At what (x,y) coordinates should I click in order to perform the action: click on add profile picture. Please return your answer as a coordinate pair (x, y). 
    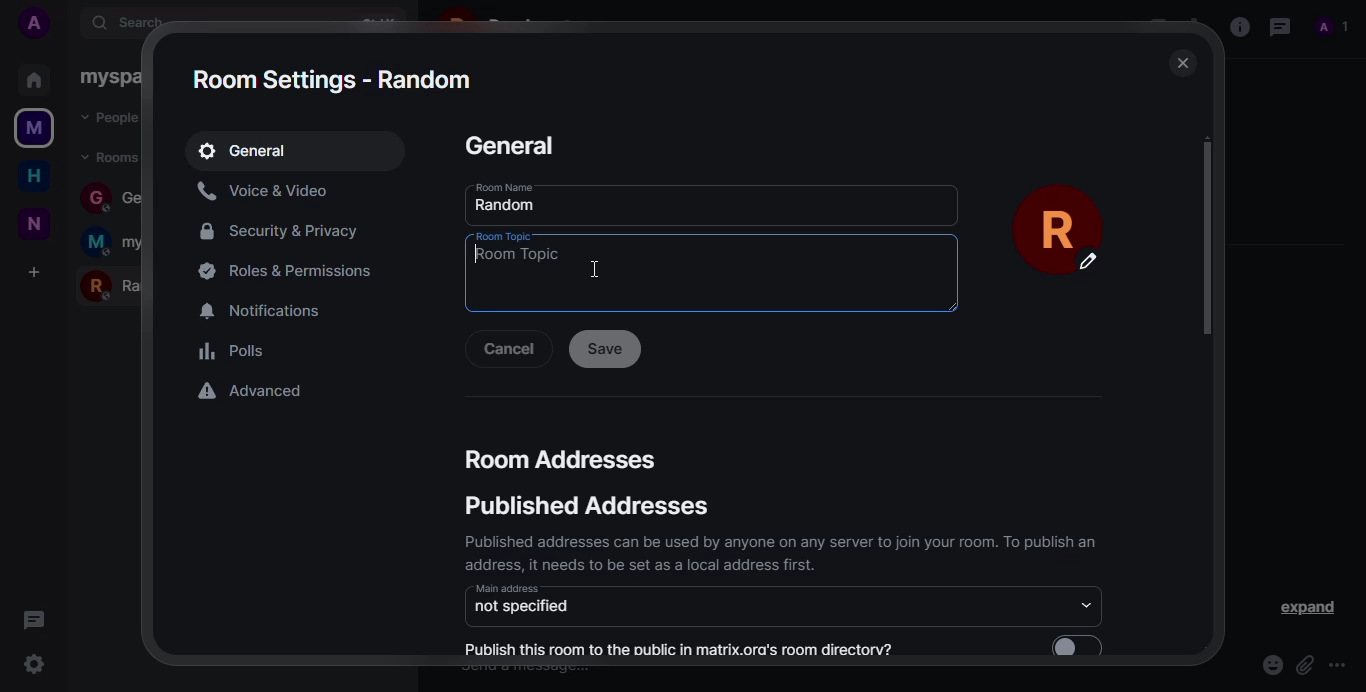
    Looking at the image, I should click on (40, 23).